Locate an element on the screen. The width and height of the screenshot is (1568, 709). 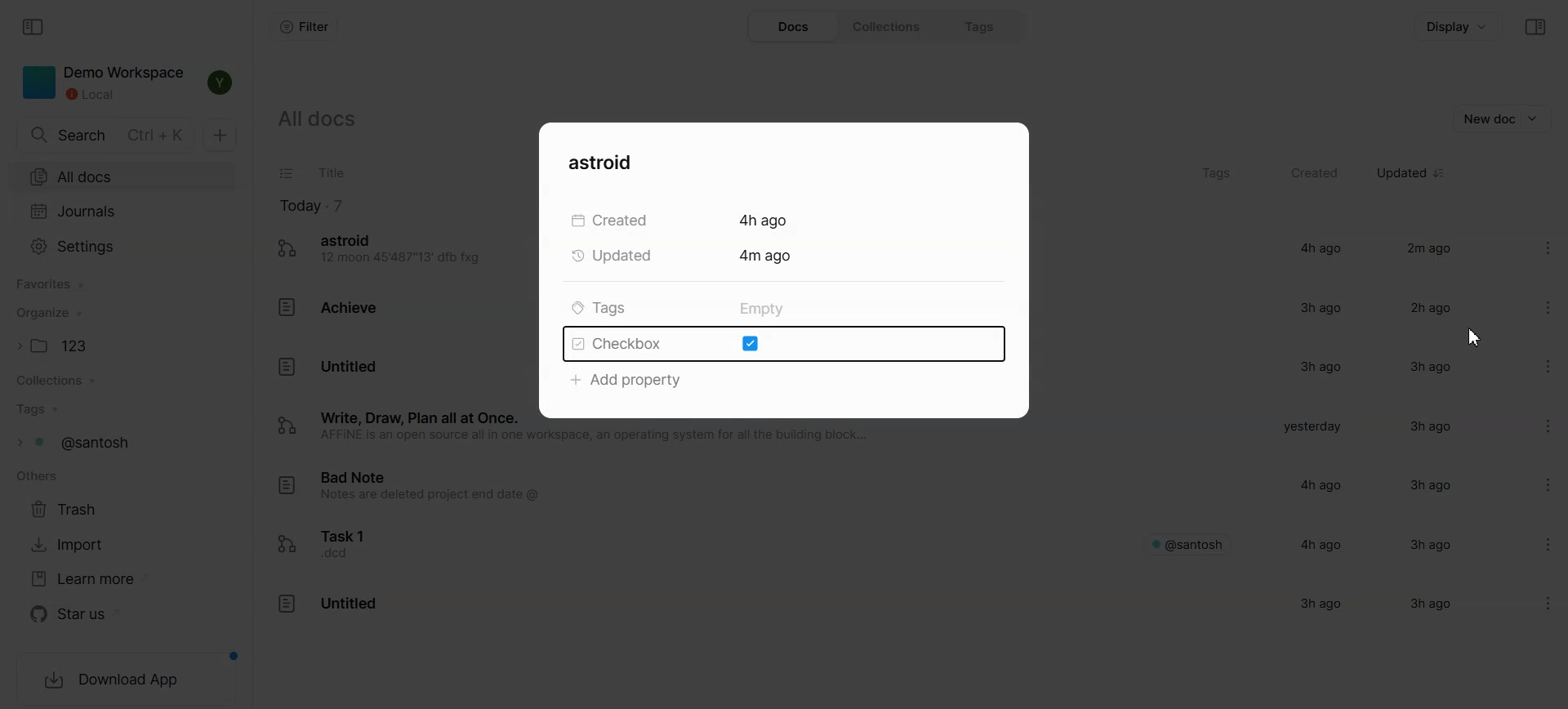
Demo Workspace is located at coordinates (101, 83).